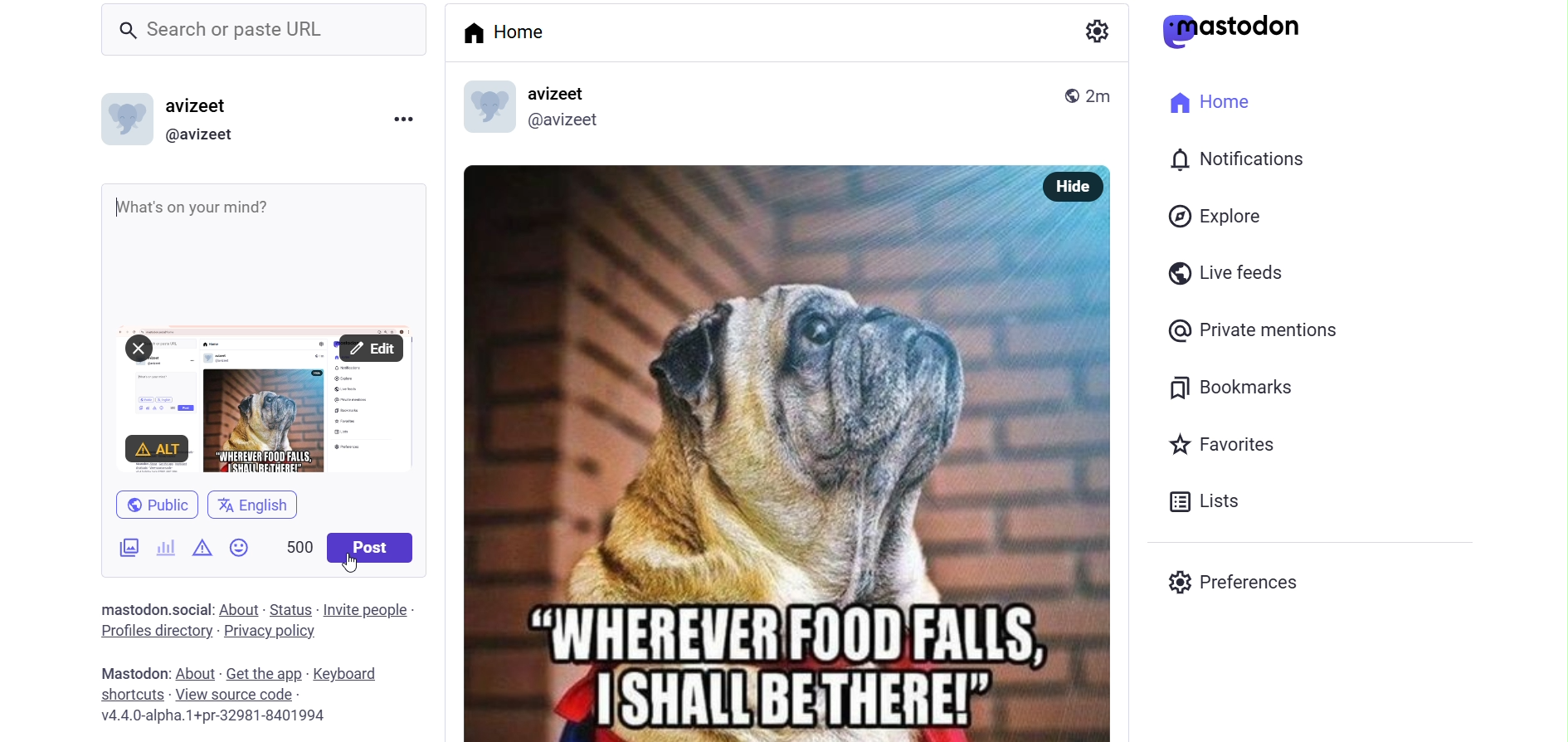 The width and height of the screenshot is (1568, 742). What do you see at coordinates (256, 504) in the screenshot?
I see `english` at bounding box center [256, 504].